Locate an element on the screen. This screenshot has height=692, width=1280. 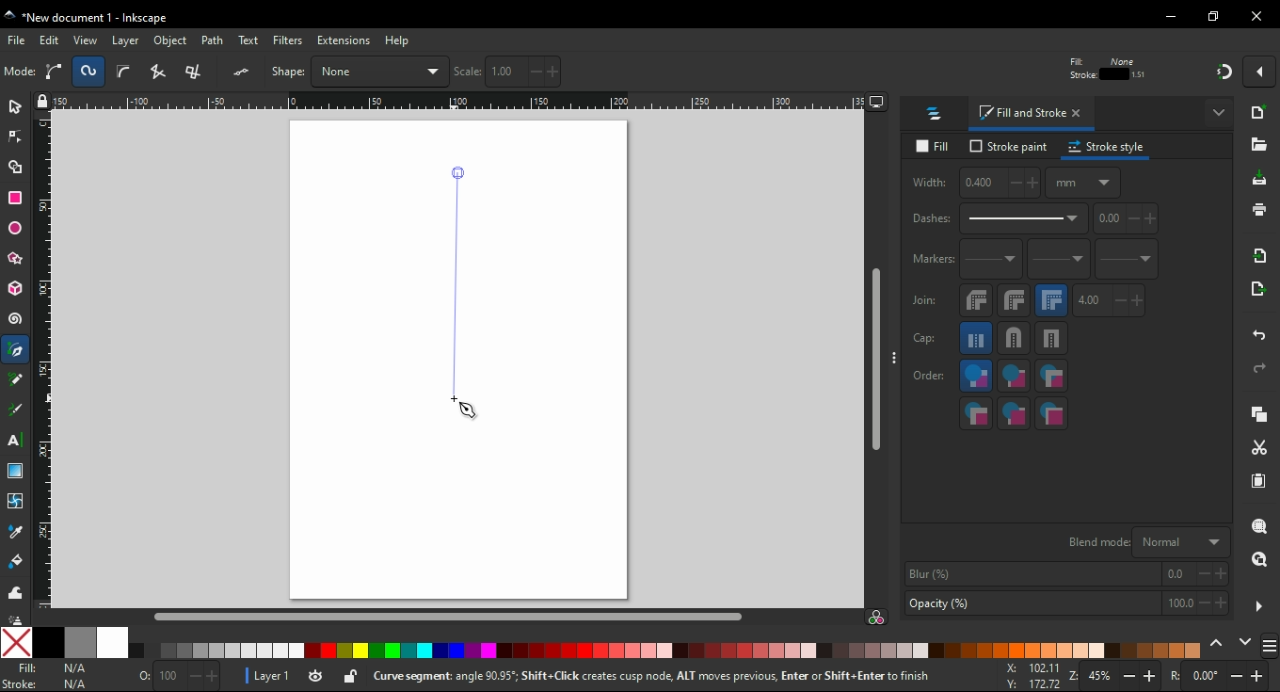
zoom in/zoom out is located at coordinates (1116, 678).